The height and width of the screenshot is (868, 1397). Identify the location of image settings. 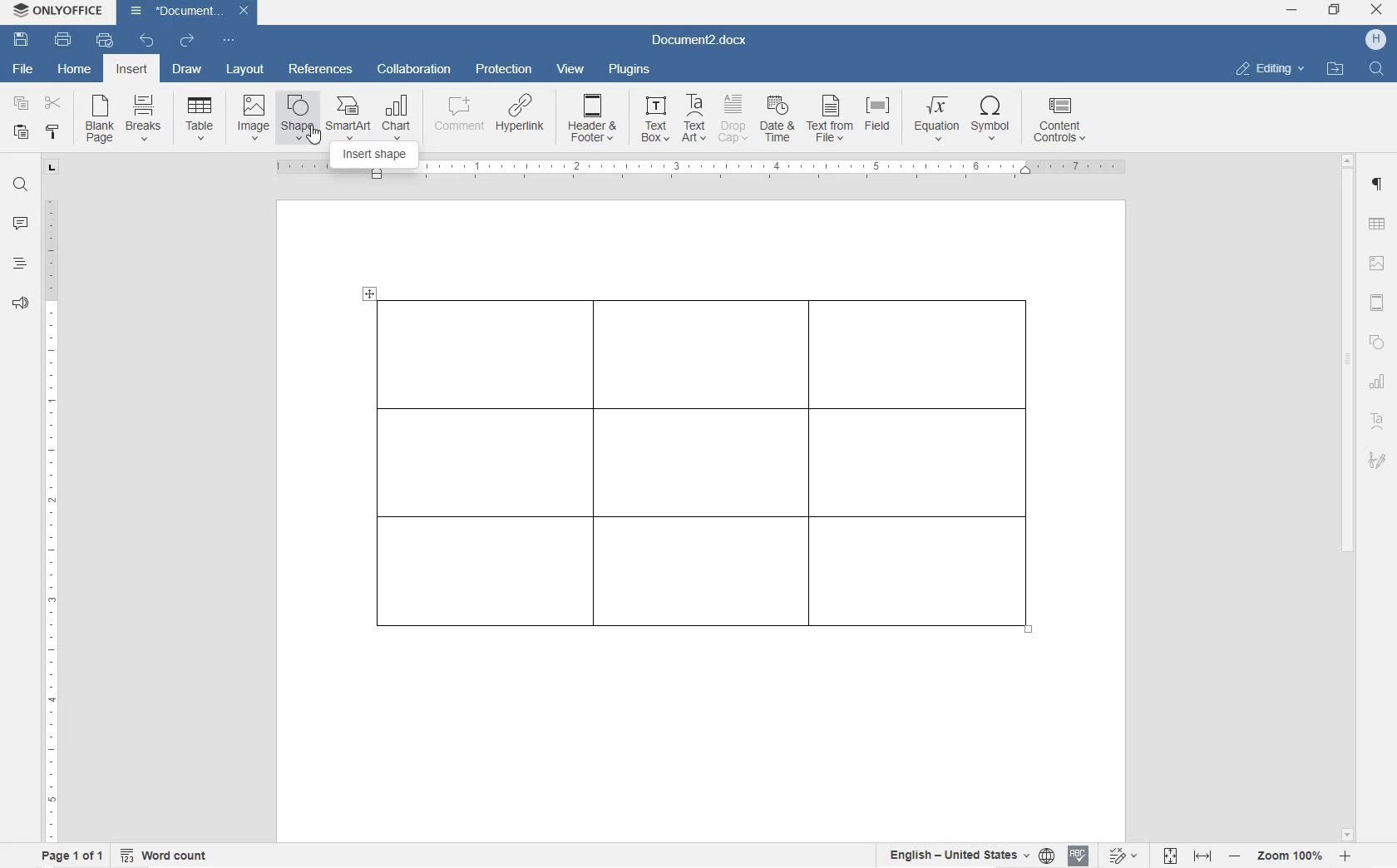
(1376, 264).